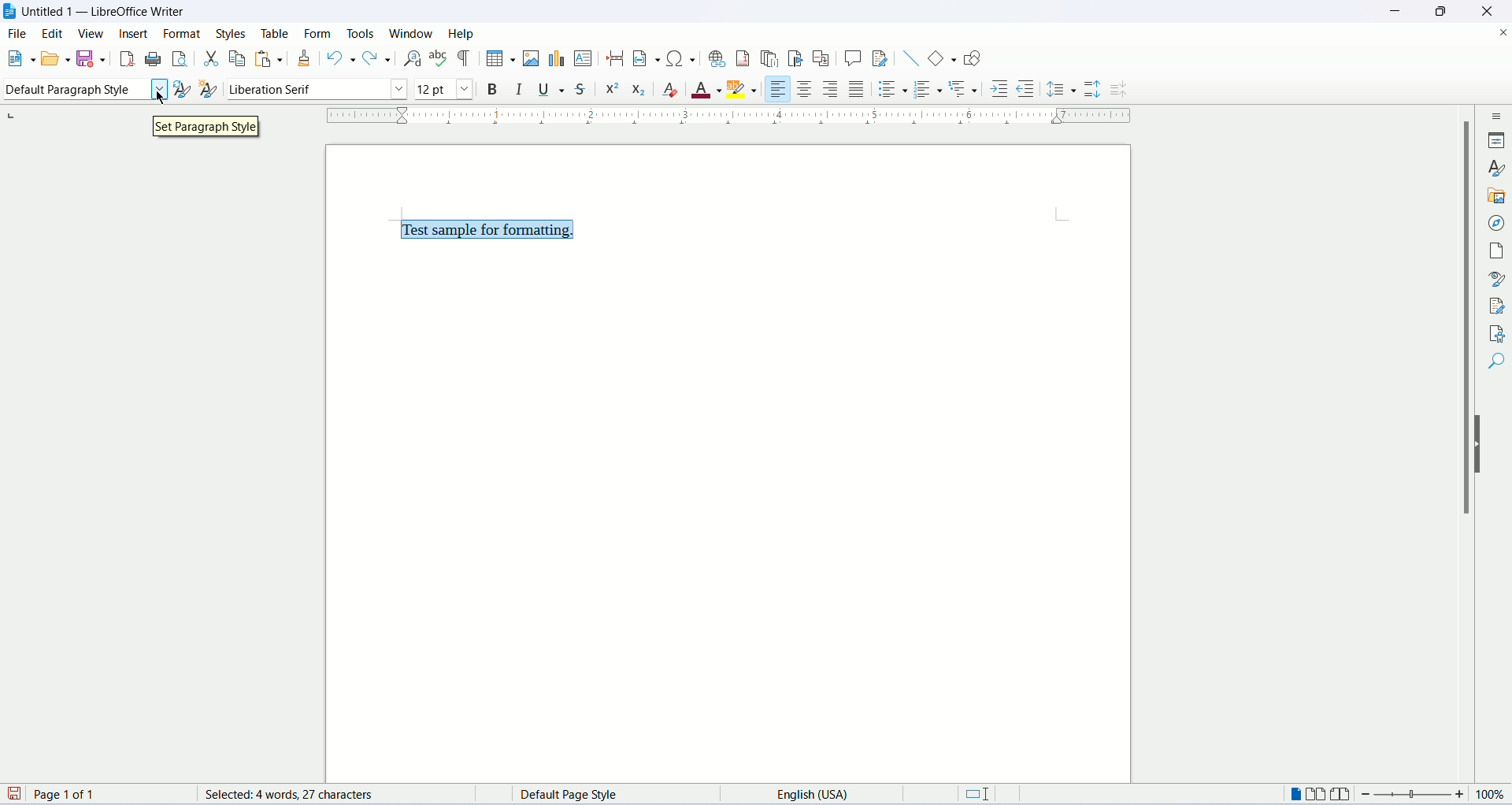 This screenshot has width=1512, height=805. I want to click on new, so click(20, 61).